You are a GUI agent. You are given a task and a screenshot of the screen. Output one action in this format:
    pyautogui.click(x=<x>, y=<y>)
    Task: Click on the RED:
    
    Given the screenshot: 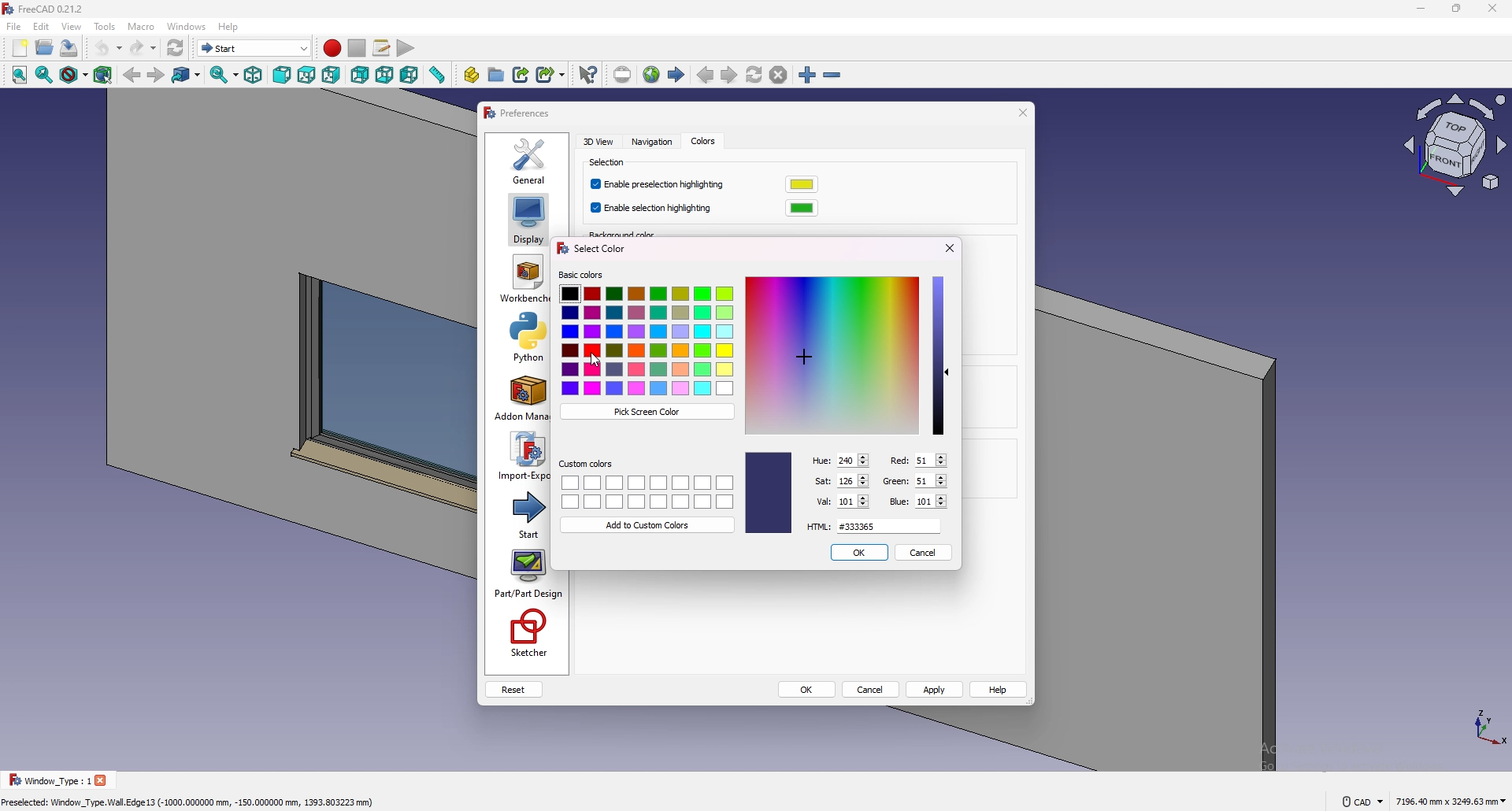 What is the action you would take?
    pyautogui.click(x=897, y=460)
    